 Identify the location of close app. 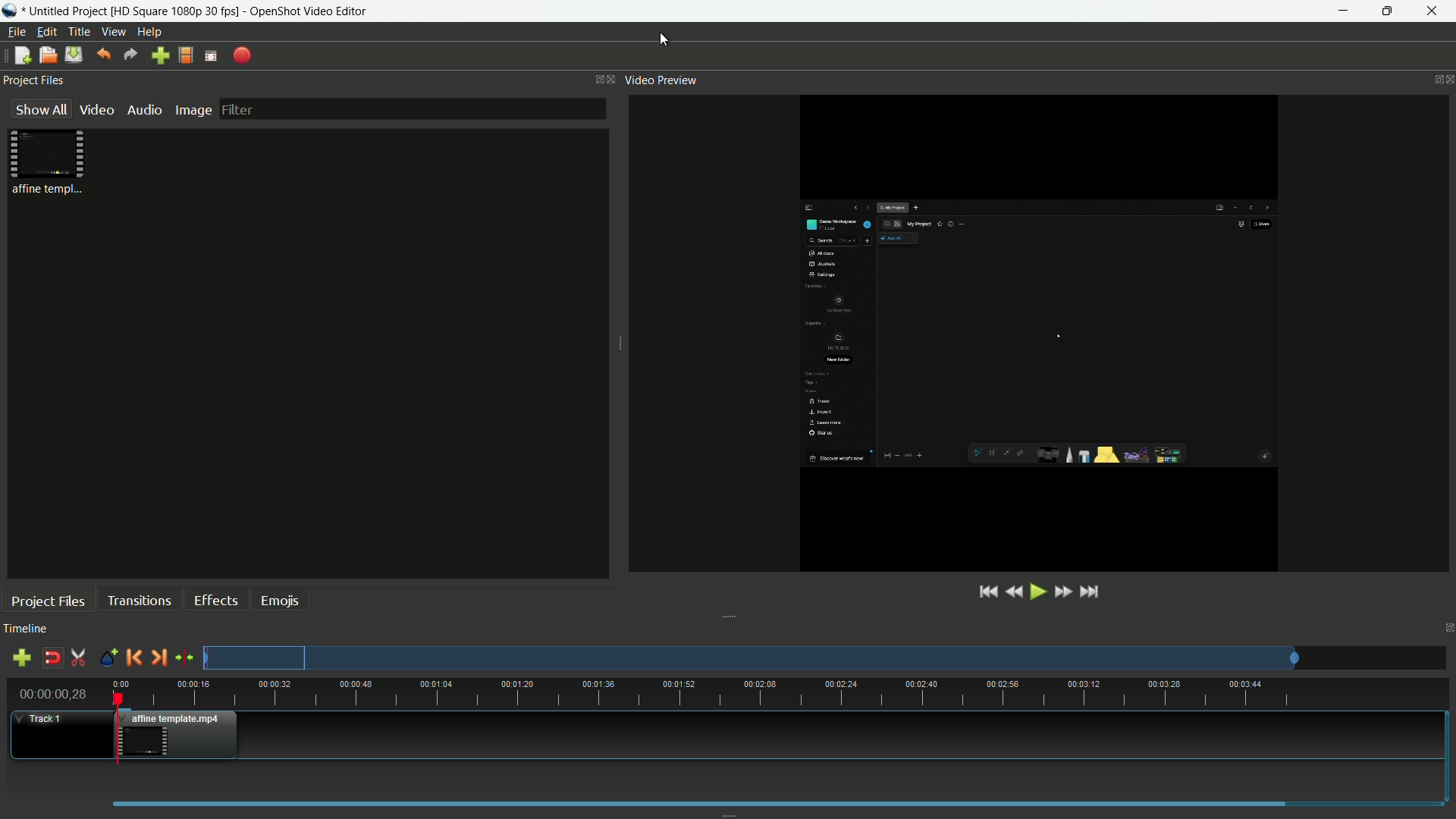
(1438, 11).